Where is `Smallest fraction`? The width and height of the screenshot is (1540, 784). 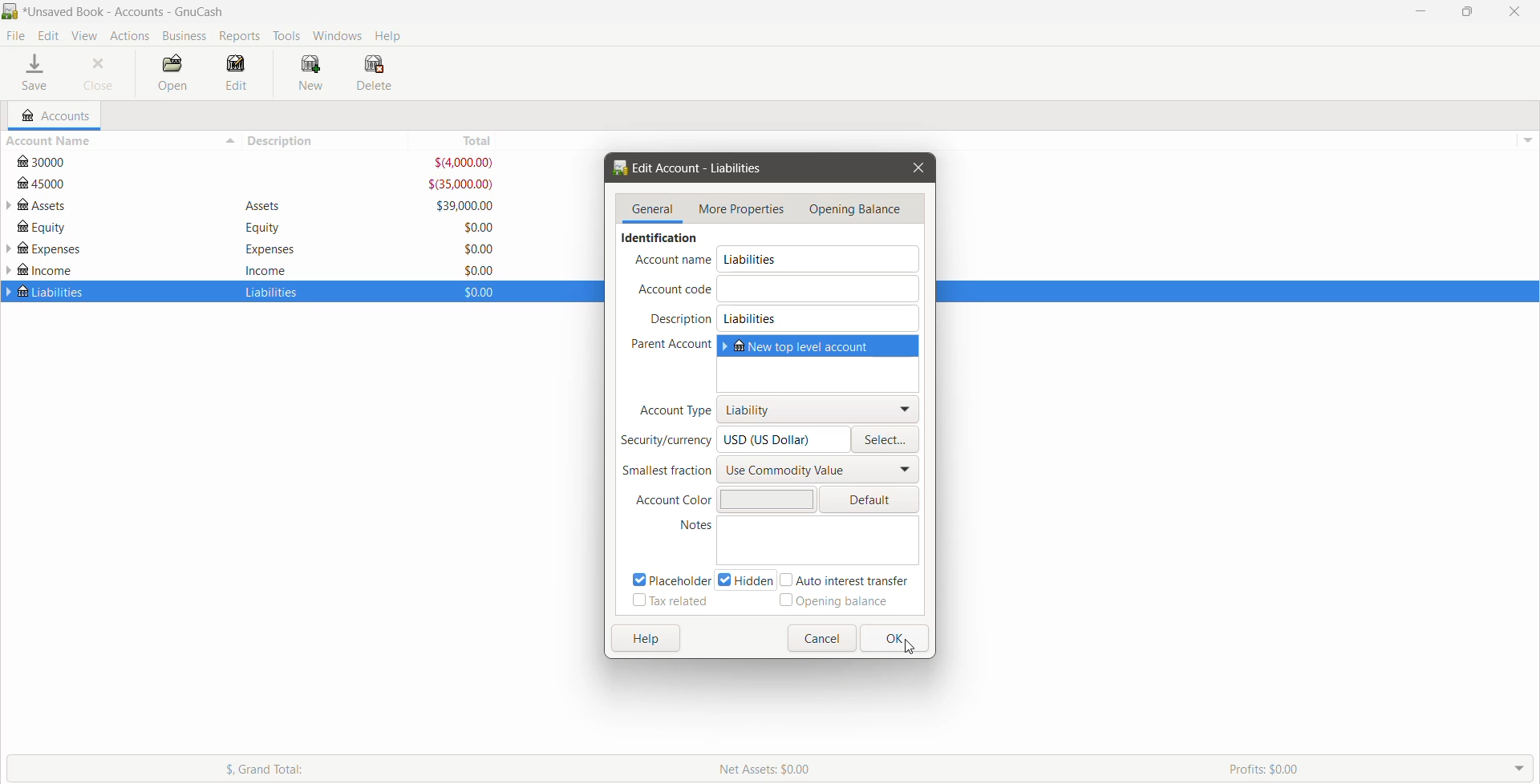 Smallest fraction is located at coordinates (666, 471).